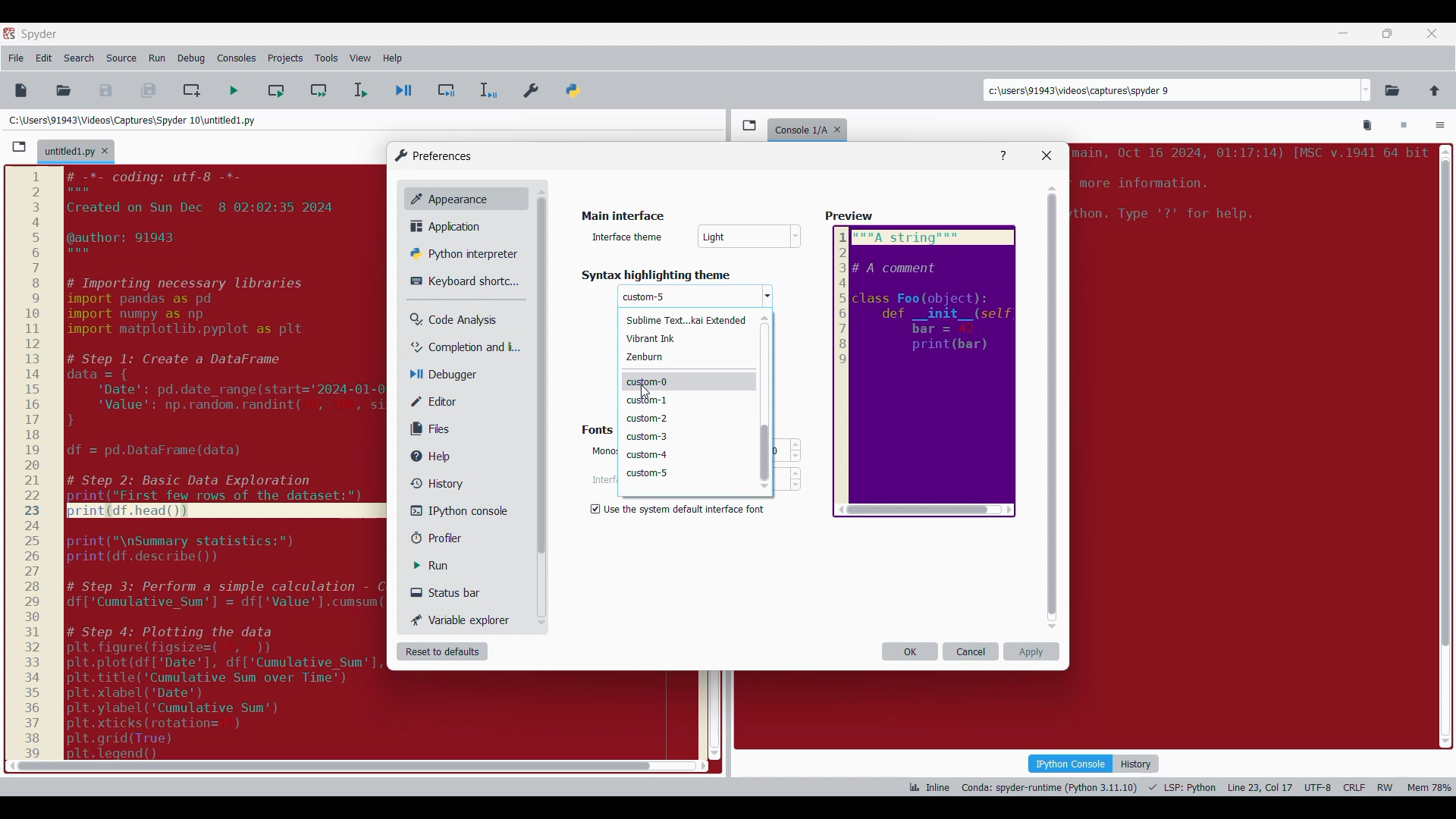  I want to click on Preferences, so click(532, 87).